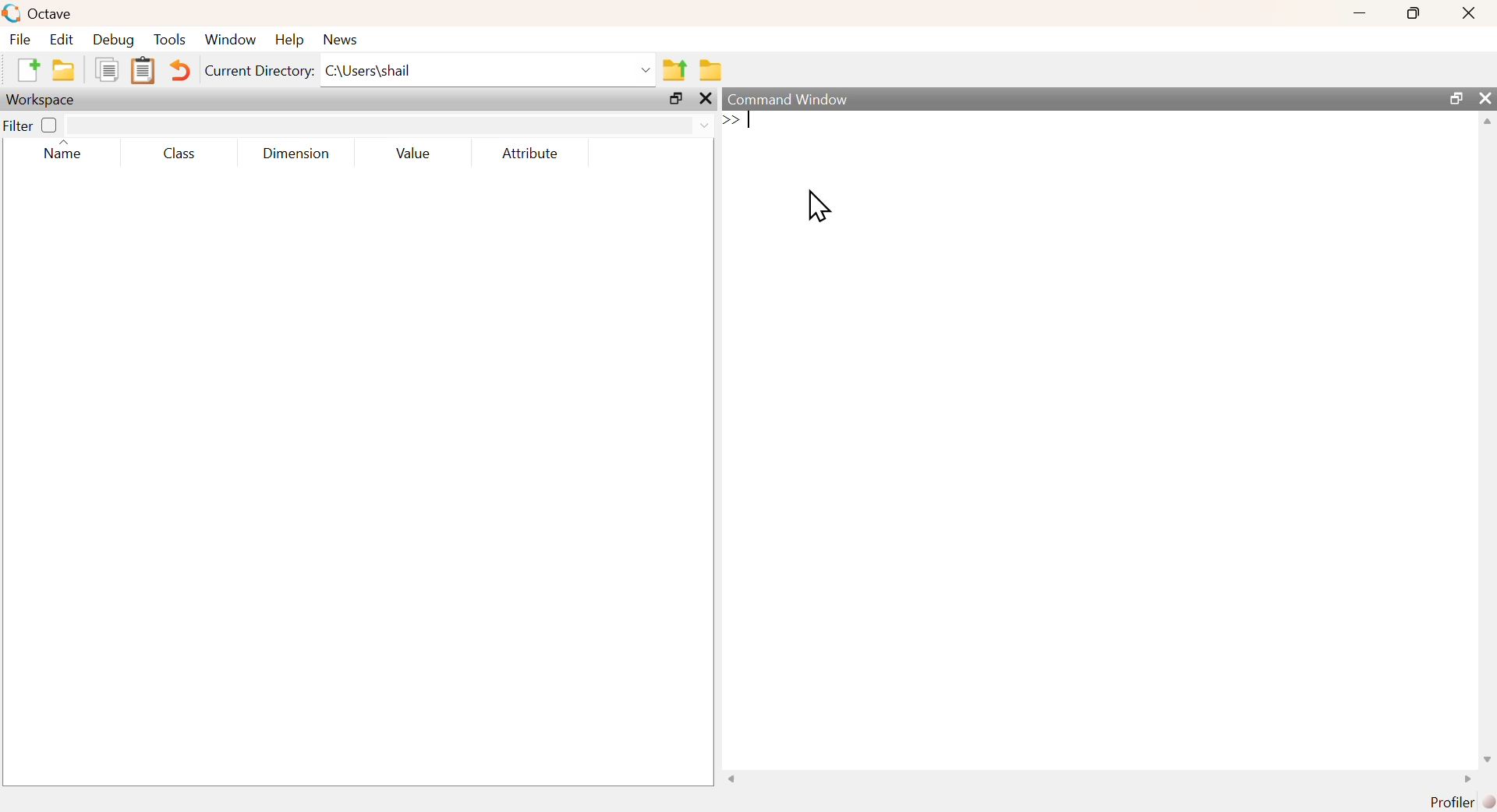 This screenshot has height=812, width=1497. I want to click on Name, so click(65, 151).